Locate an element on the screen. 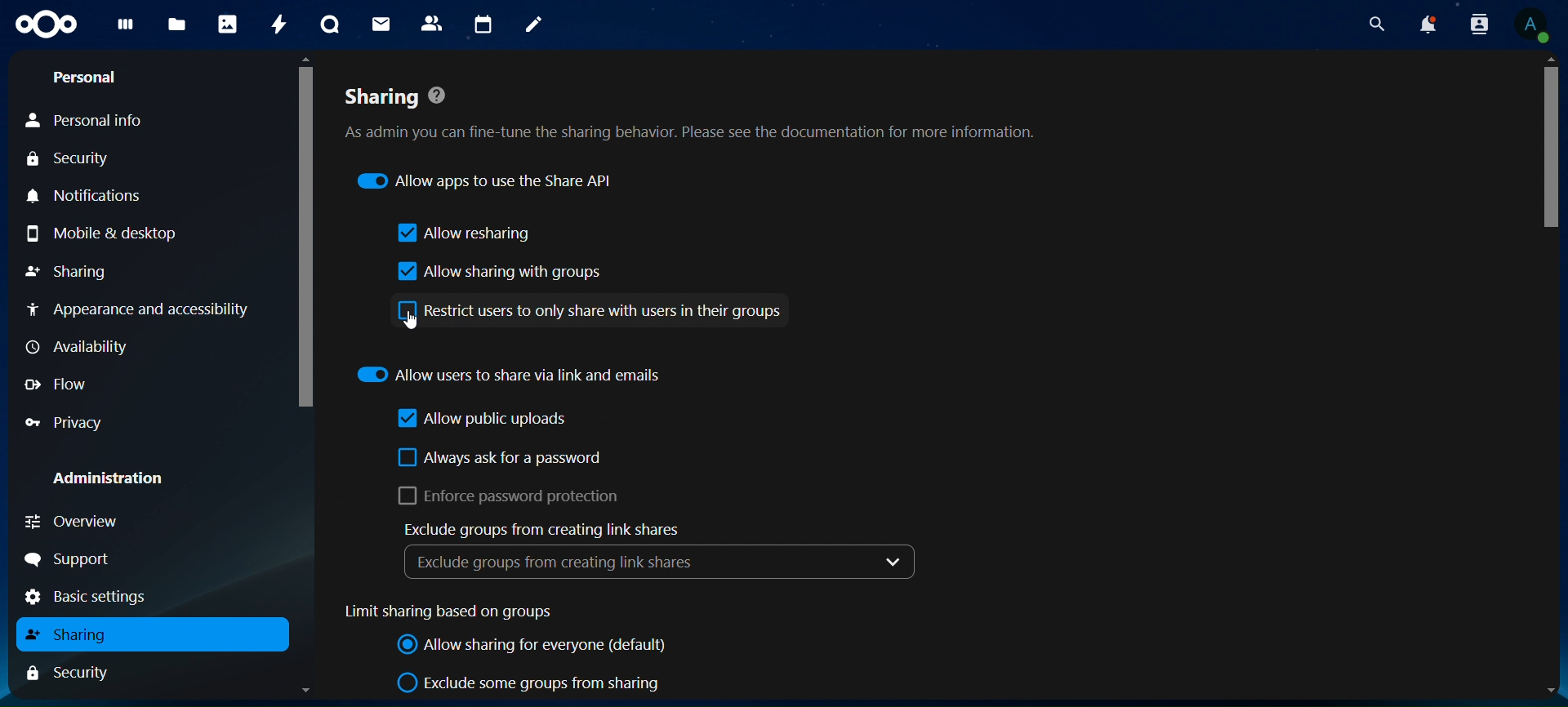 The height and width of the screenshot is (707, 1568). exclude some groups from sharing is located at coordinates (531, 683).